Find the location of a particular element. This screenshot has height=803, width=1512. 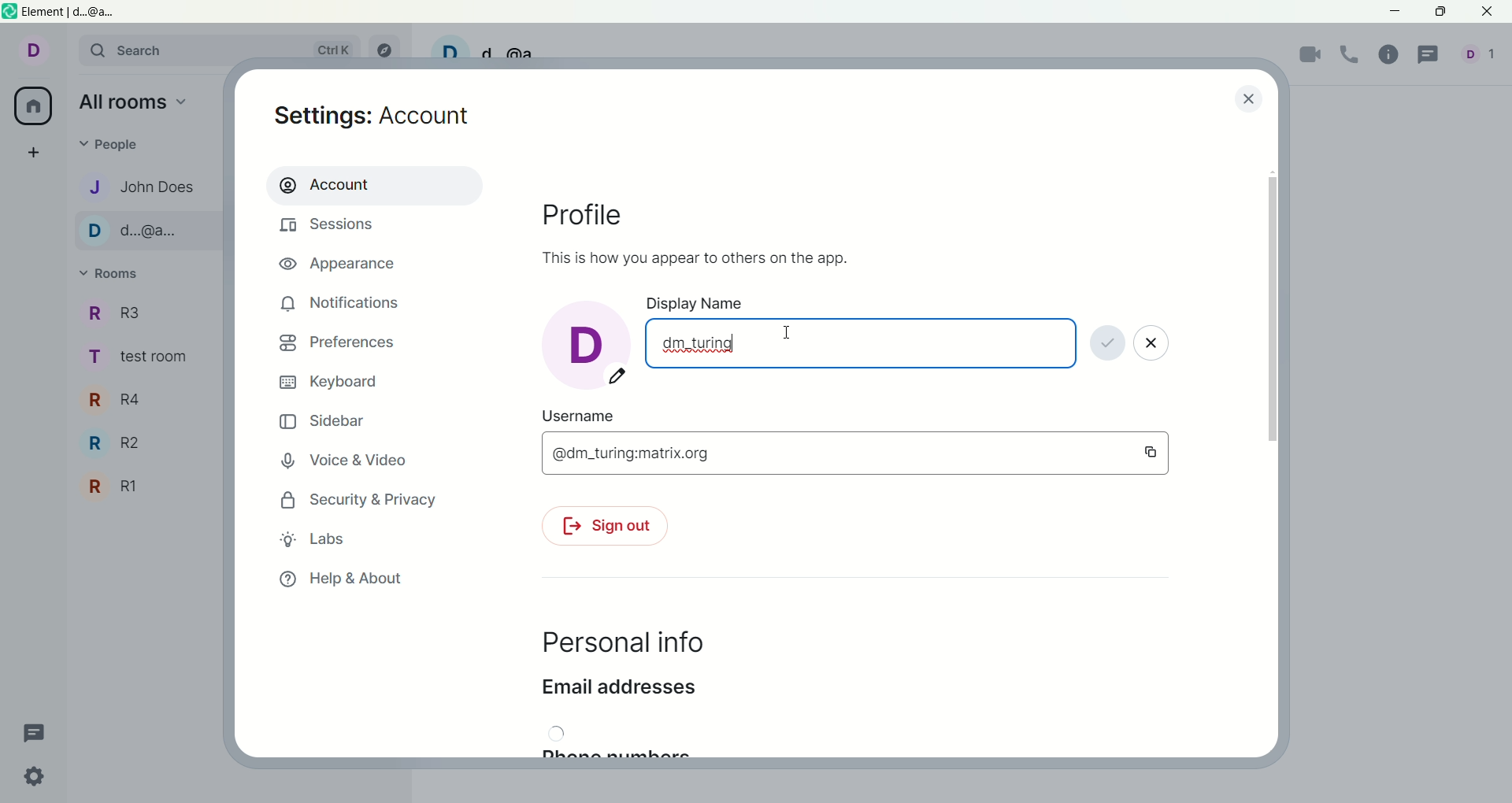

display name is located at coordinates (703, 303).